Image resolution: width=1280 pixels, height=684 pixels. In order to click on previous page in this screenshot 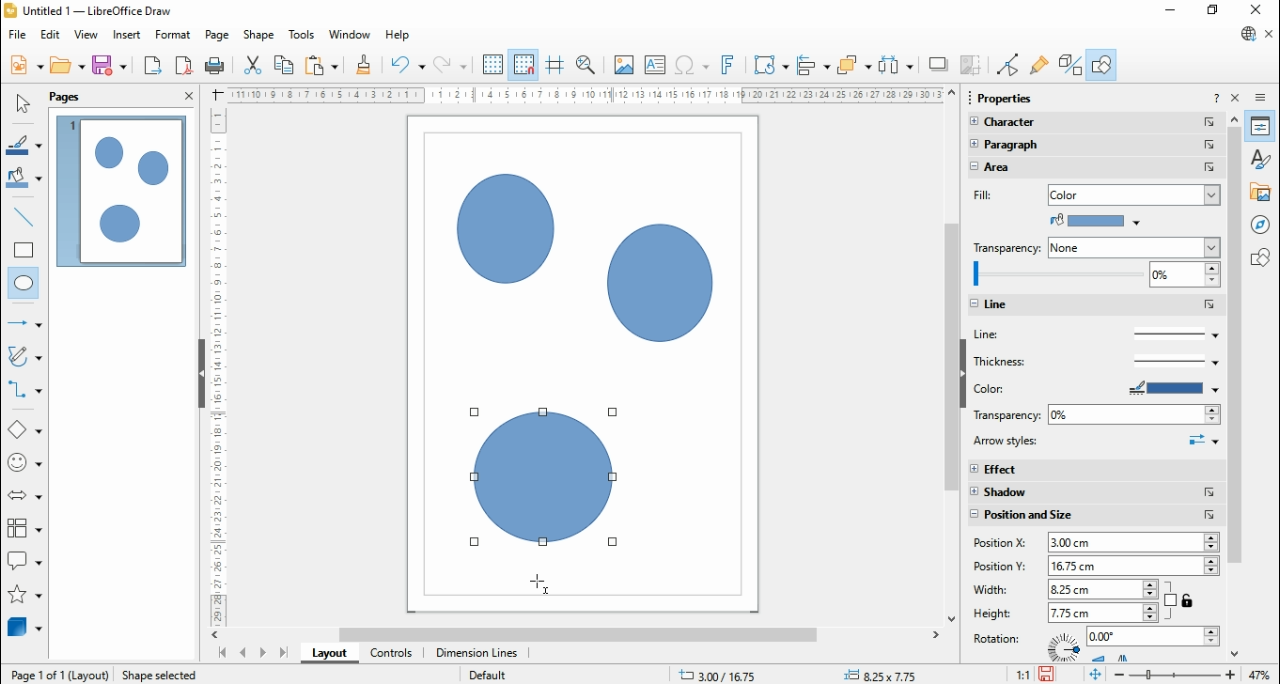, I will do `click(244, 653)`.